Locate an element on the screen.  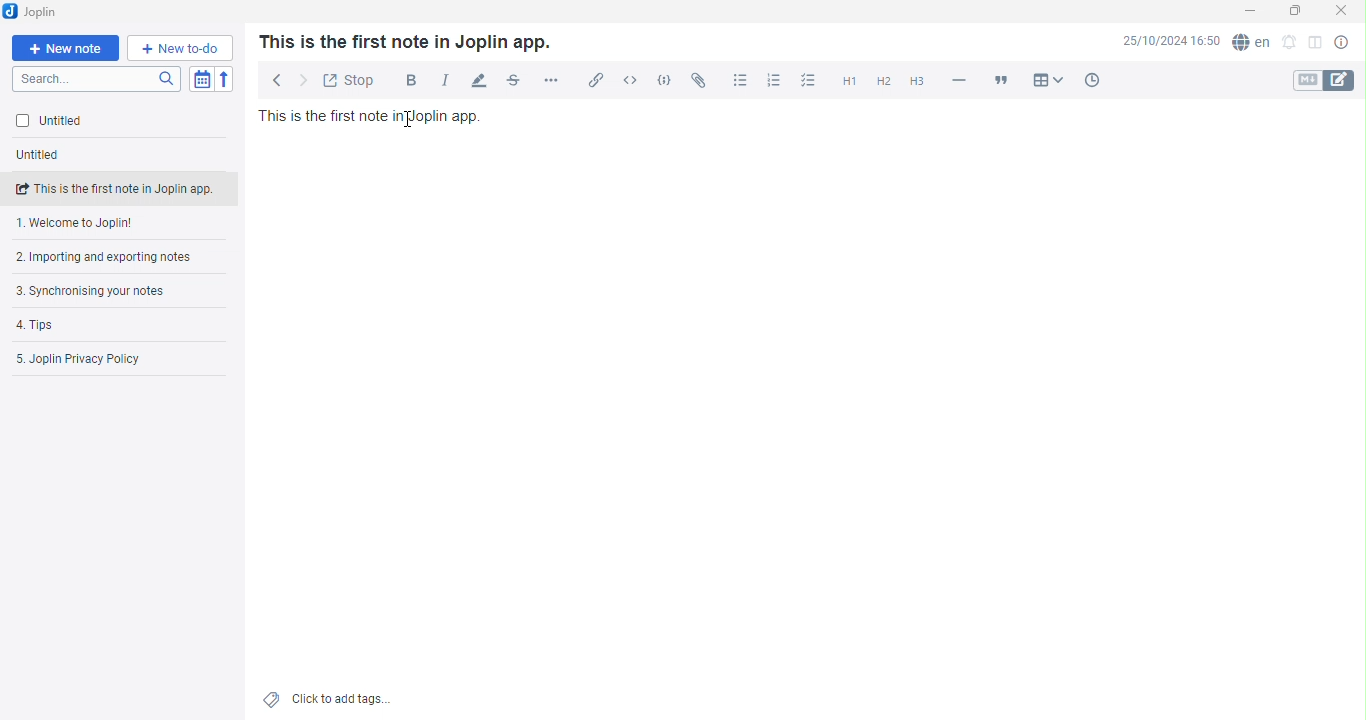
Checkbox list is located at coordinates (809, 82).